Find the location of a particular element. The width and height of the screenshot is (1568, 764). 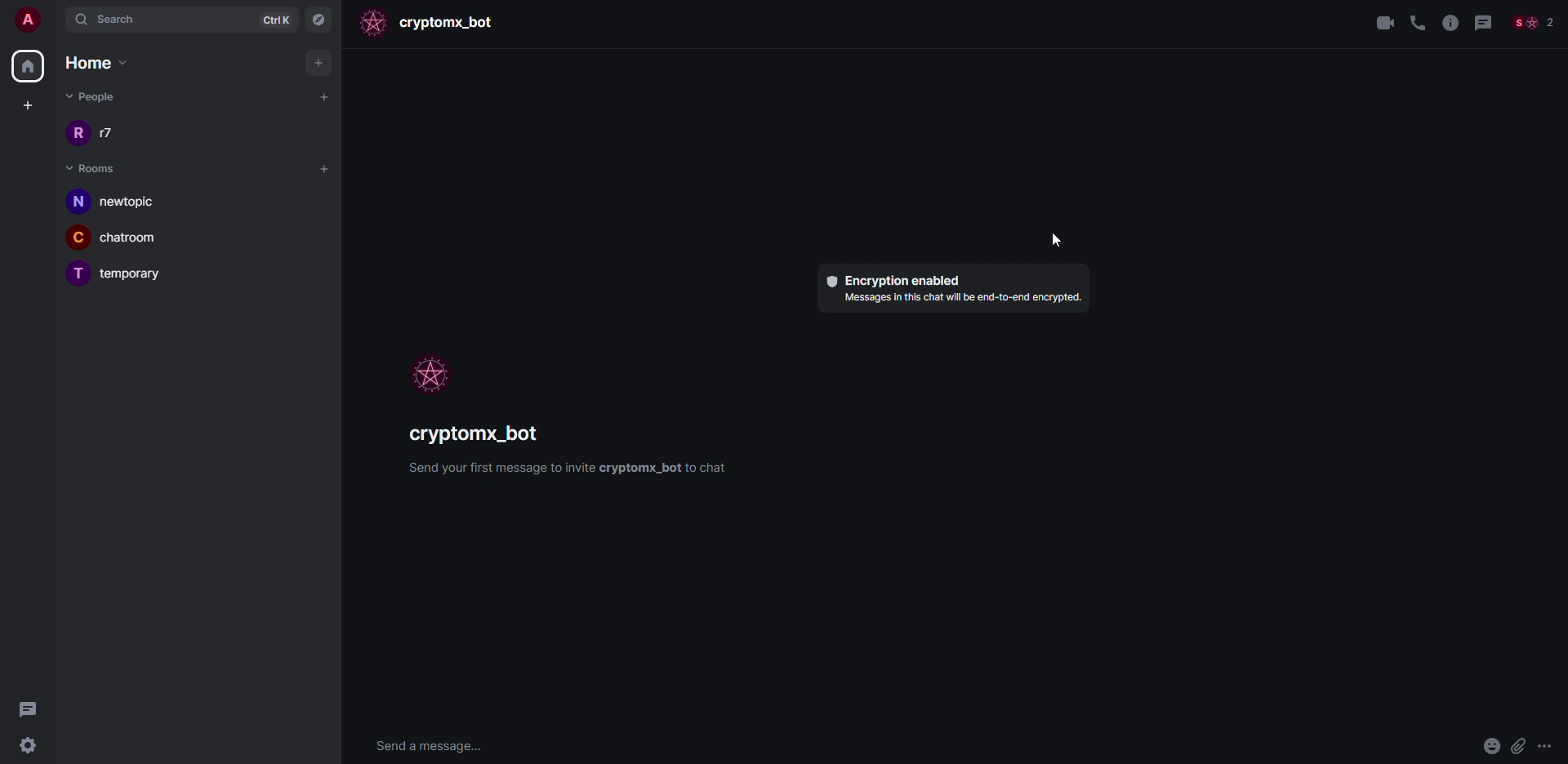

emoji is located at coordinates (1490, 746).